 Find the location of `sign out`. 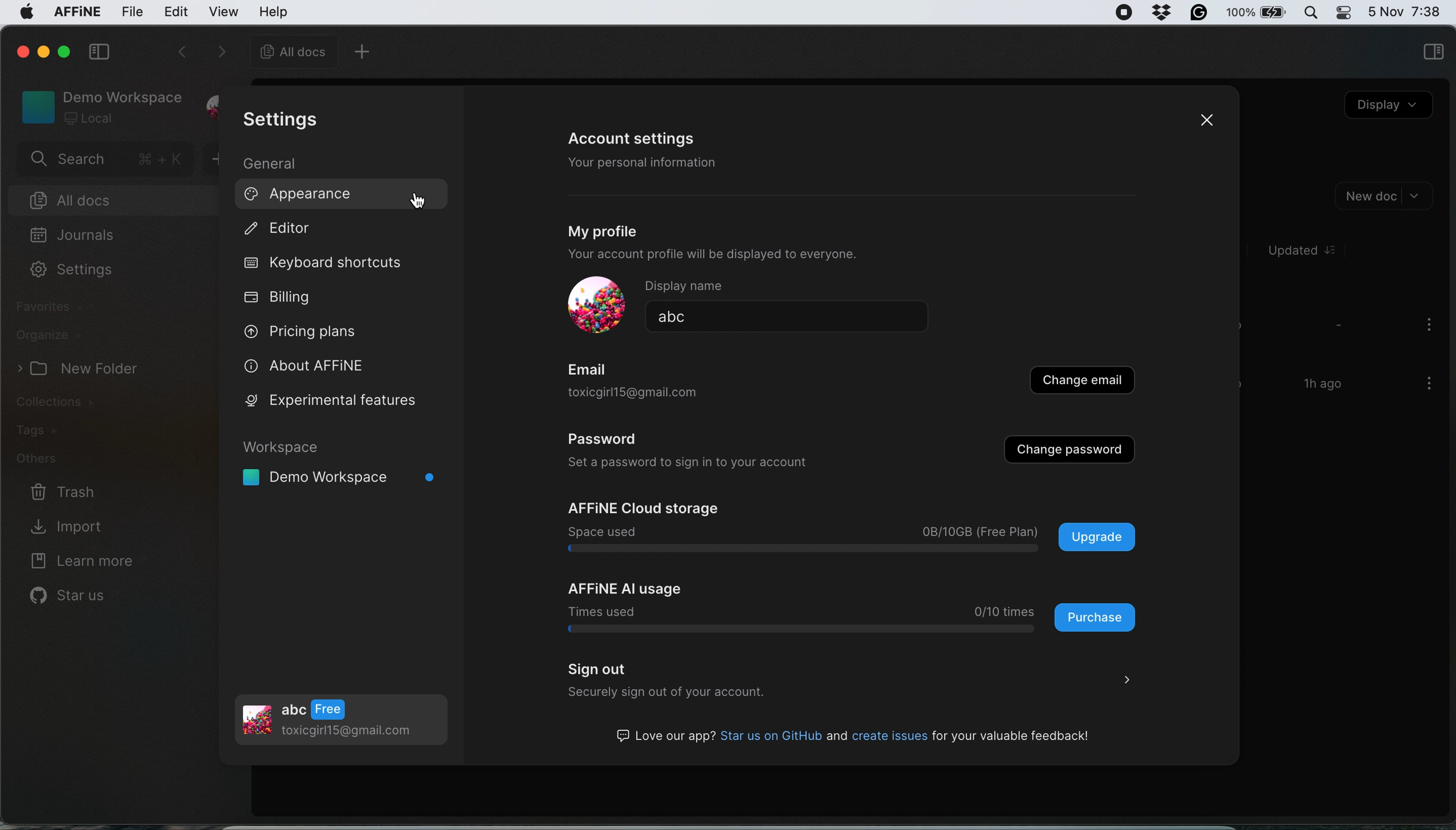

sign out is located at coordinates (630, 670).